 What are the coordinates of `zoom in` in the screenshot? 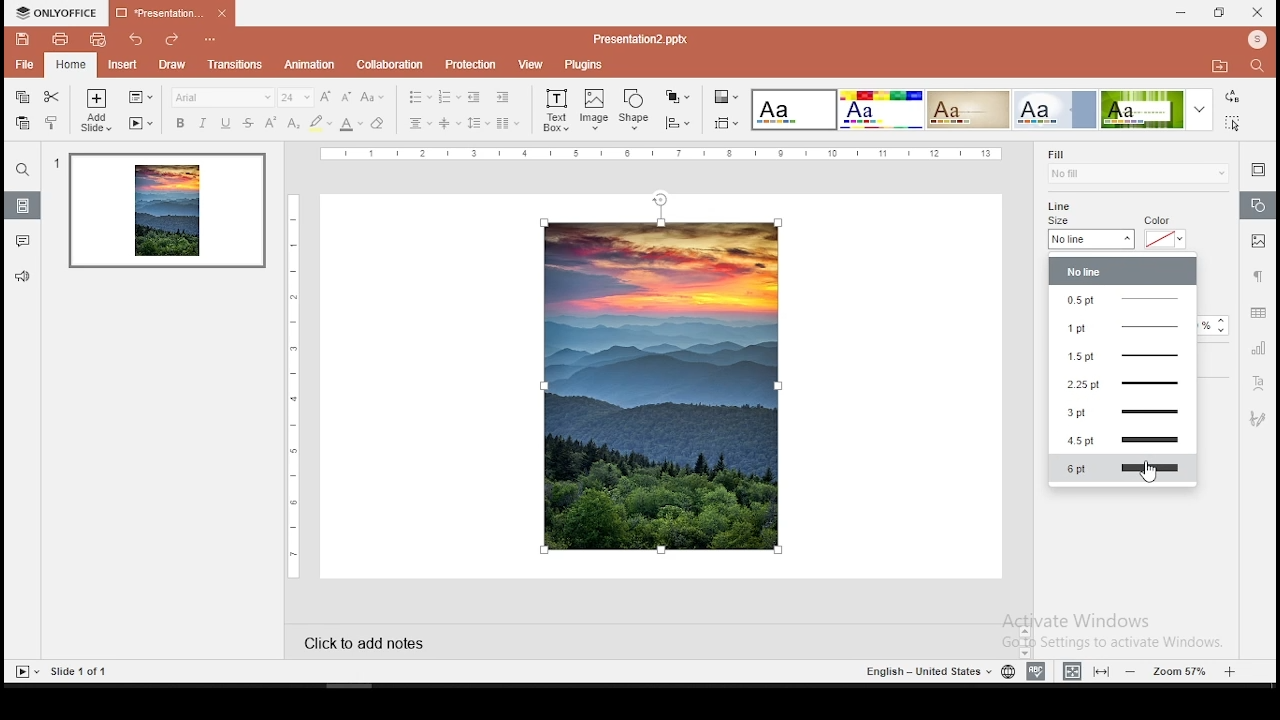 It's located at (1232, 672).